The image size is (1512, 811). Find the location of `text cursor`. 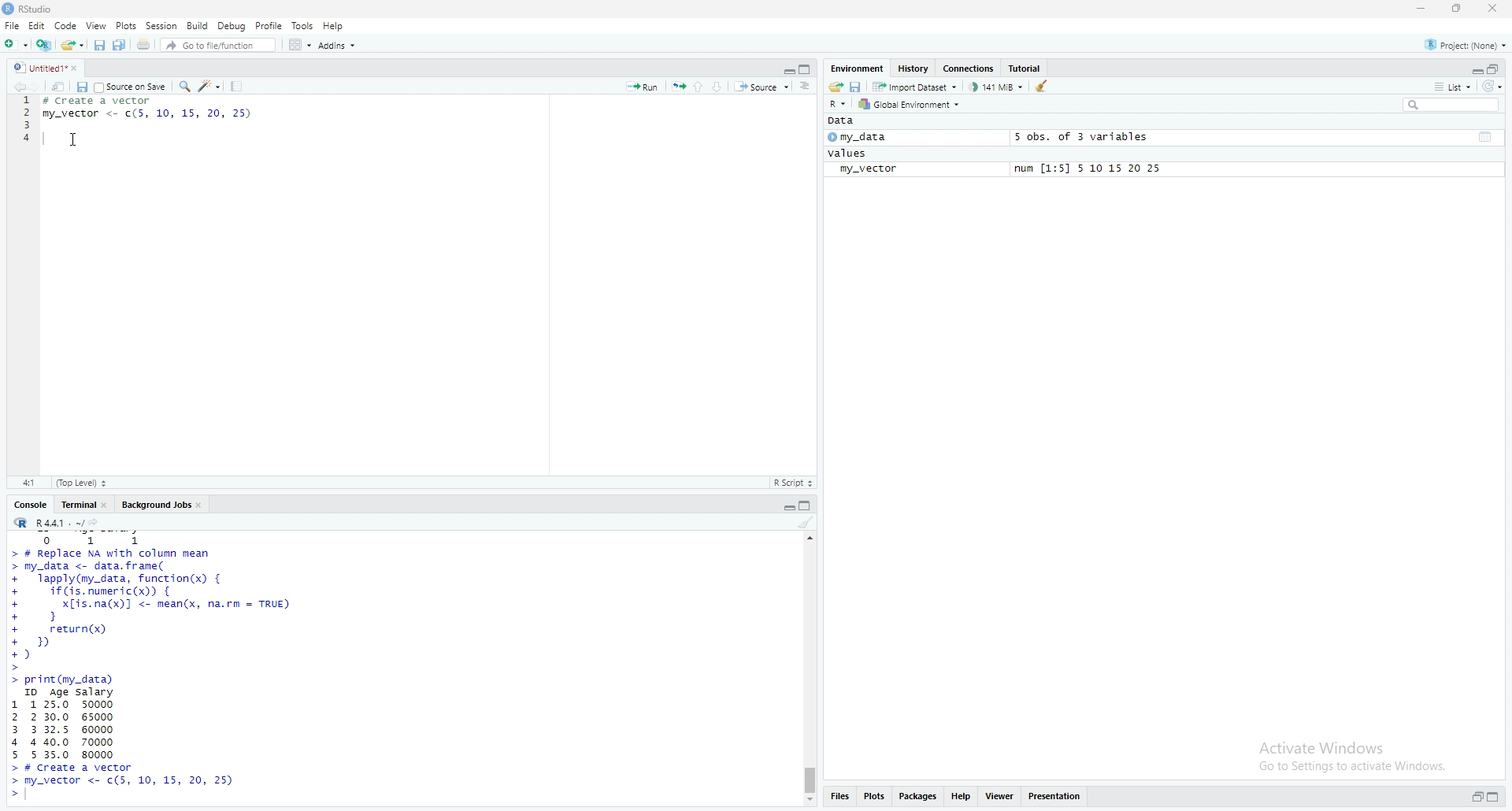

text cursor is located at coordinates (43, 140).